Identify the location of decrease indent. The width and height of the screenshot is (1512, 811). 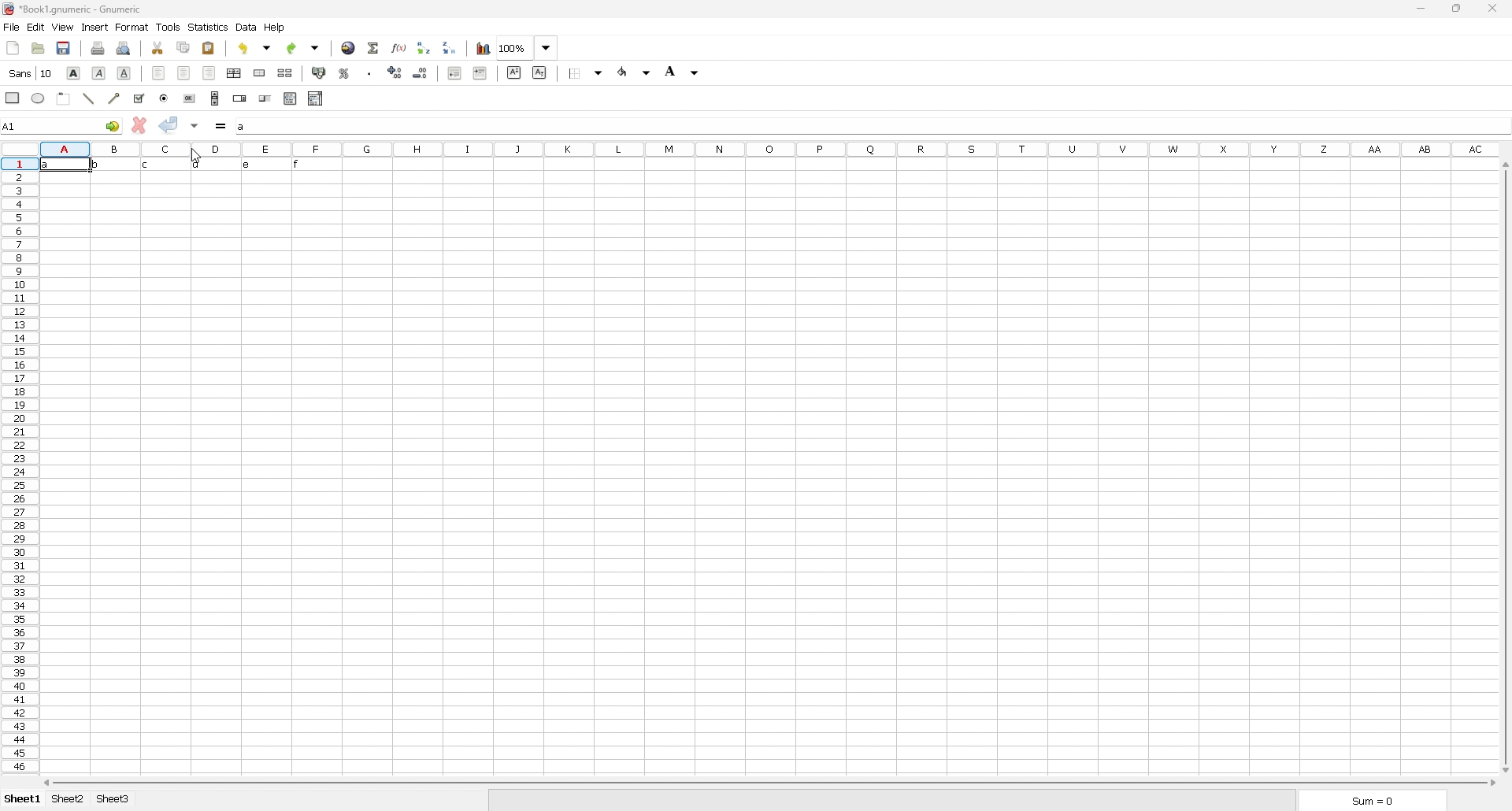
(455, 72).